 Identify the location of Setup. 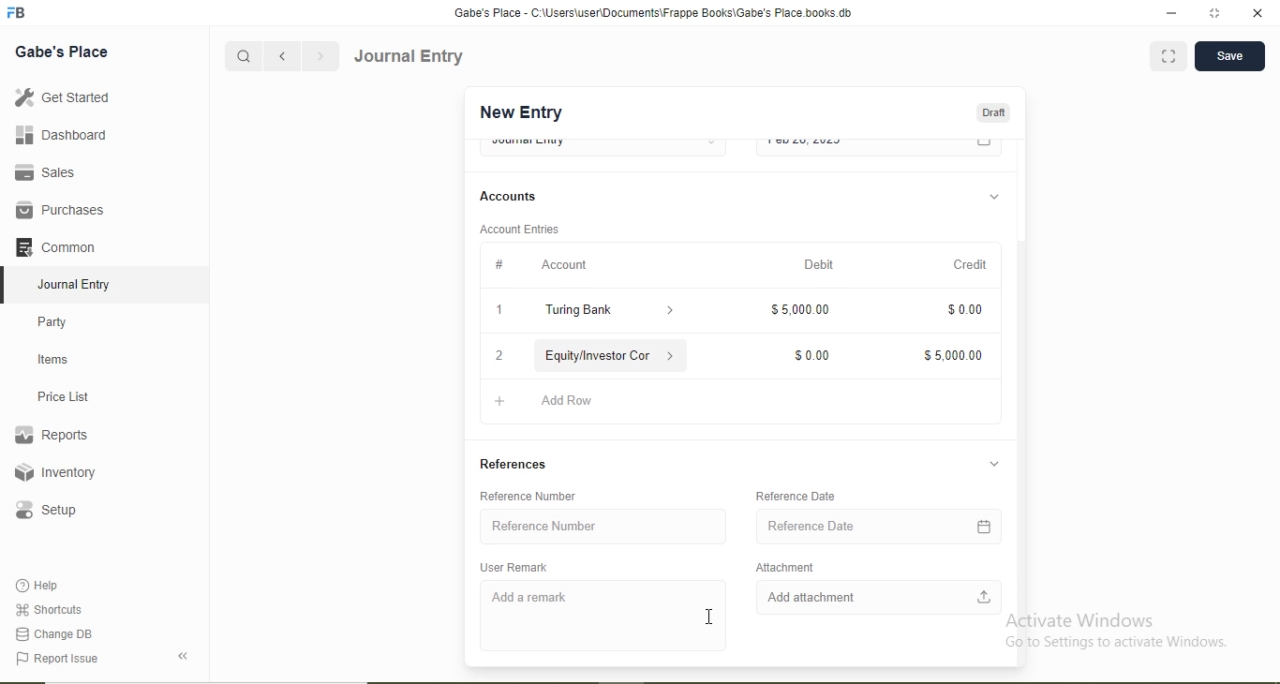
(45, 510).